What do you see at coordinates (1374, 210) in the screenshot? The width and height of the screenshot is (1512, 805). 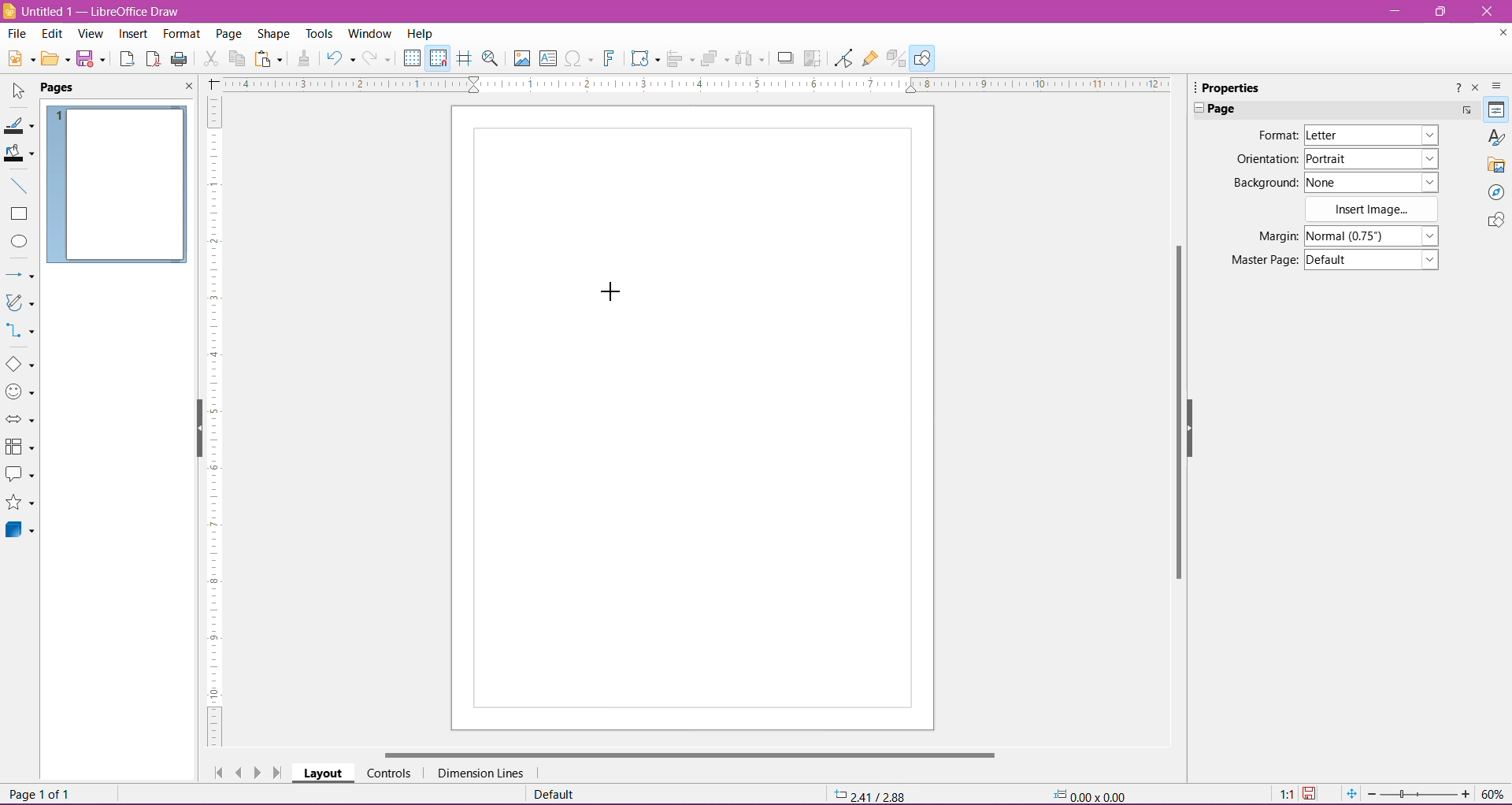 I see `Insert Image` at bounding box center [1374, 210].